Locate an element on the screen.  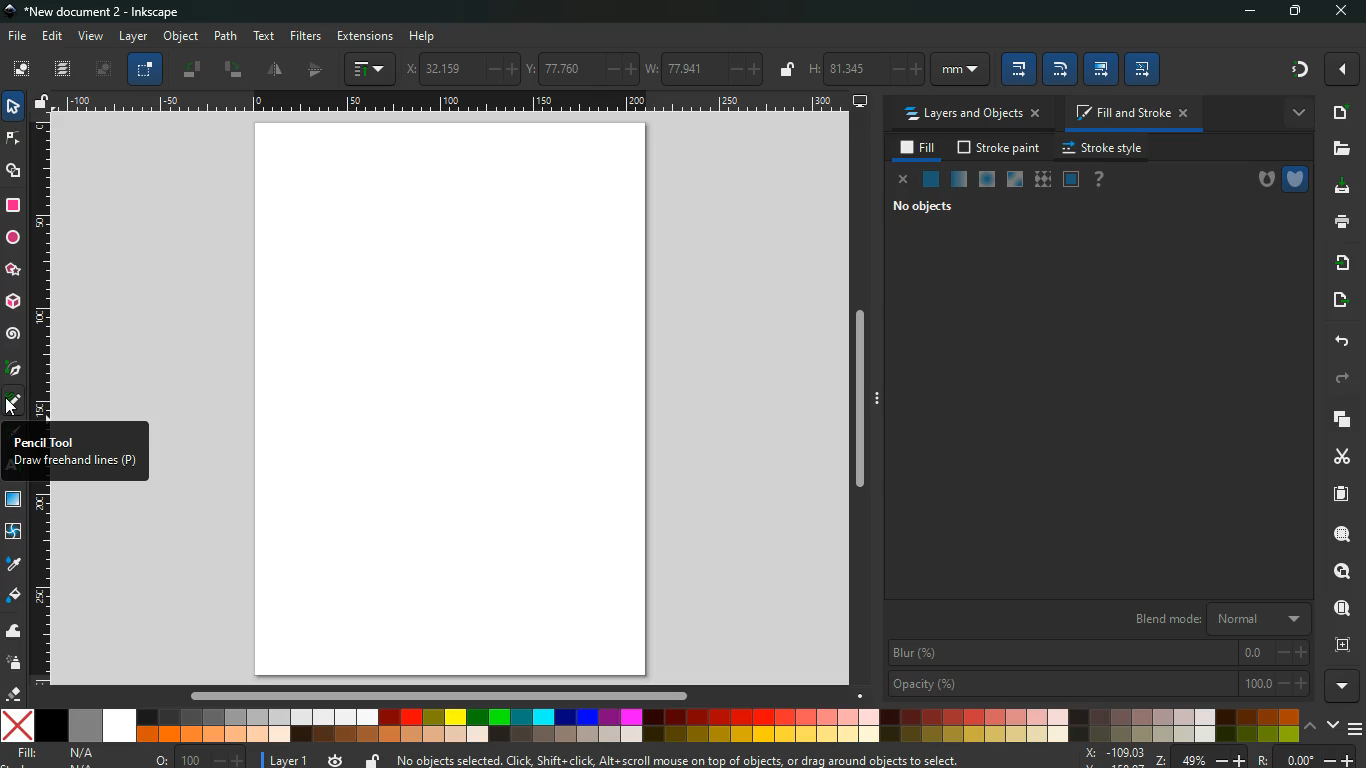
layer is located at coordinates (133, 36).